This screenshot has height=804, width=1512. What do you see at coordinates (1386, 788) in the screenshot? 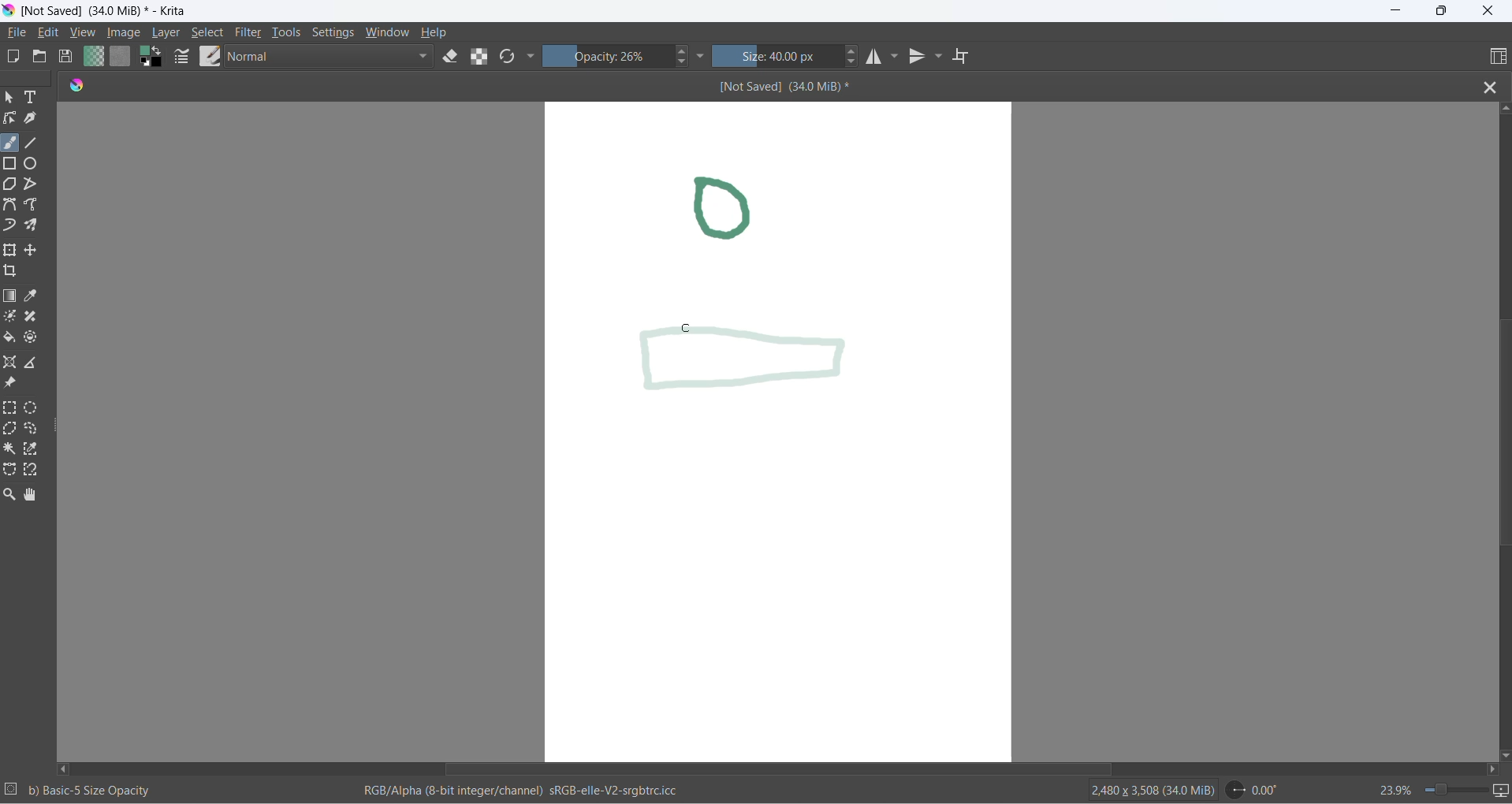
I see `zoom percentage` at bounding box center [1386, 788].